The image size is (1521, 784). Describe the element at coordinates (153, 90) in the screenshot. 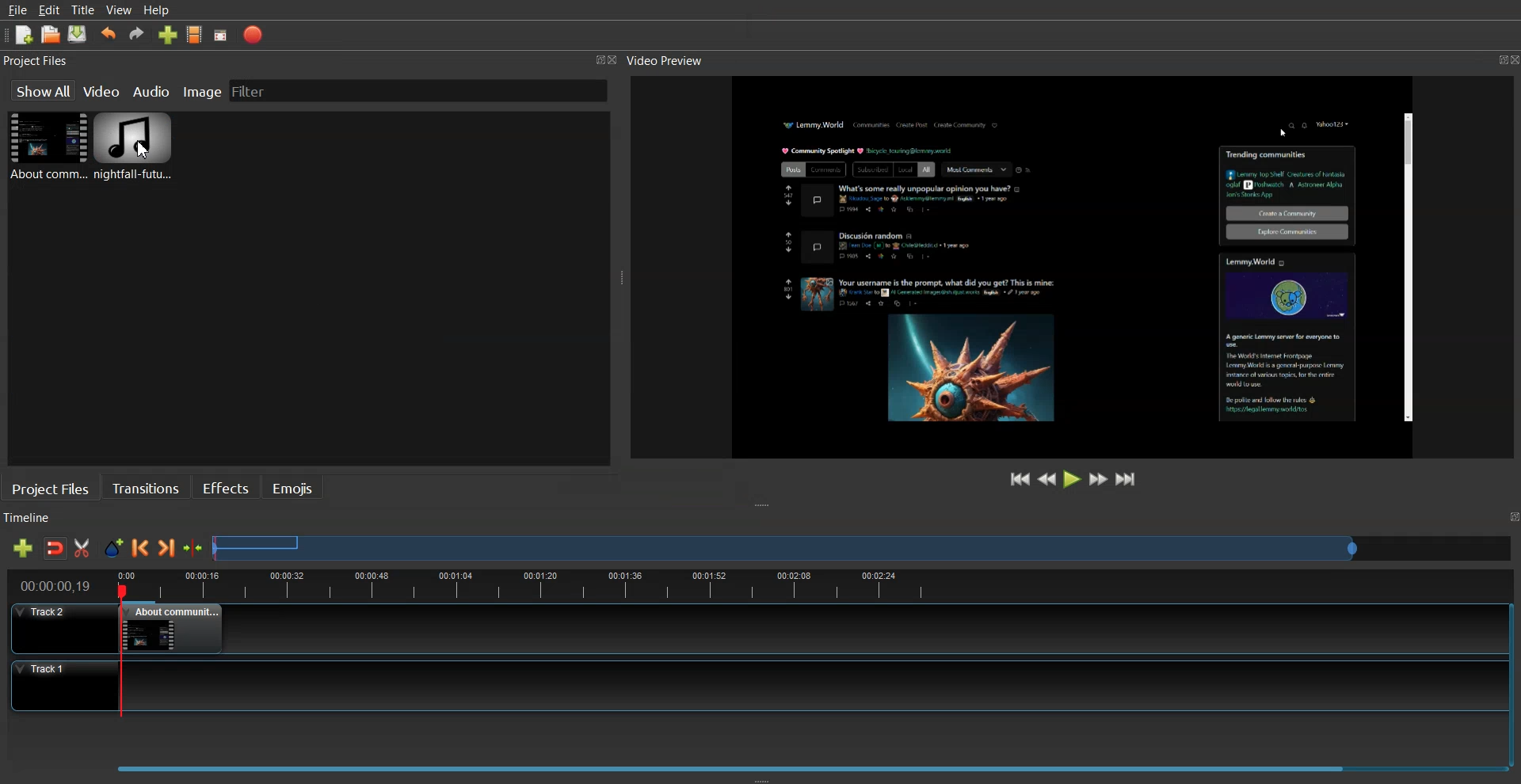

I see `Audio` at that location.